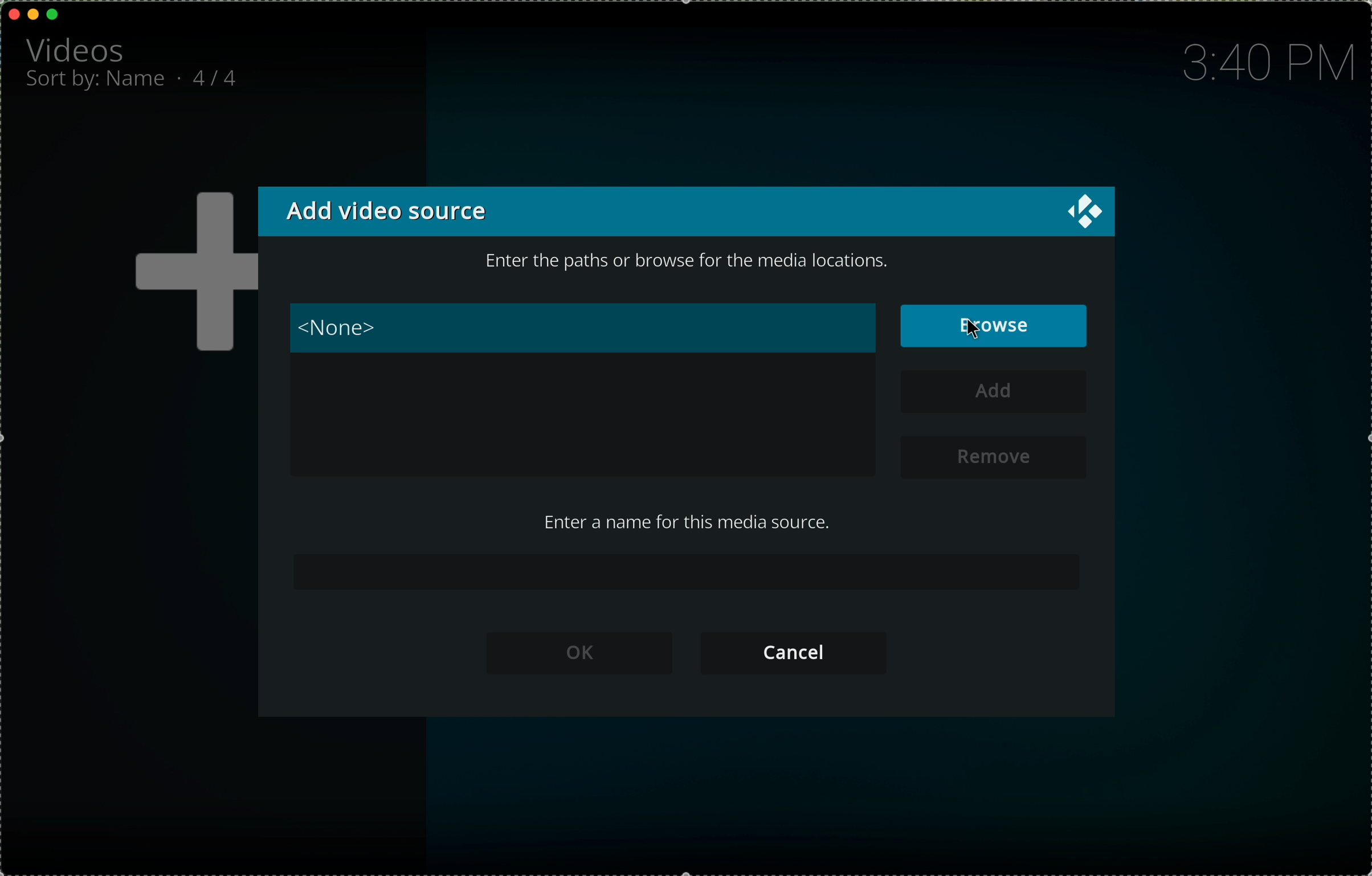  Describe the element at coordinates (15, 14) in the screenshot. I see `close` at that location.